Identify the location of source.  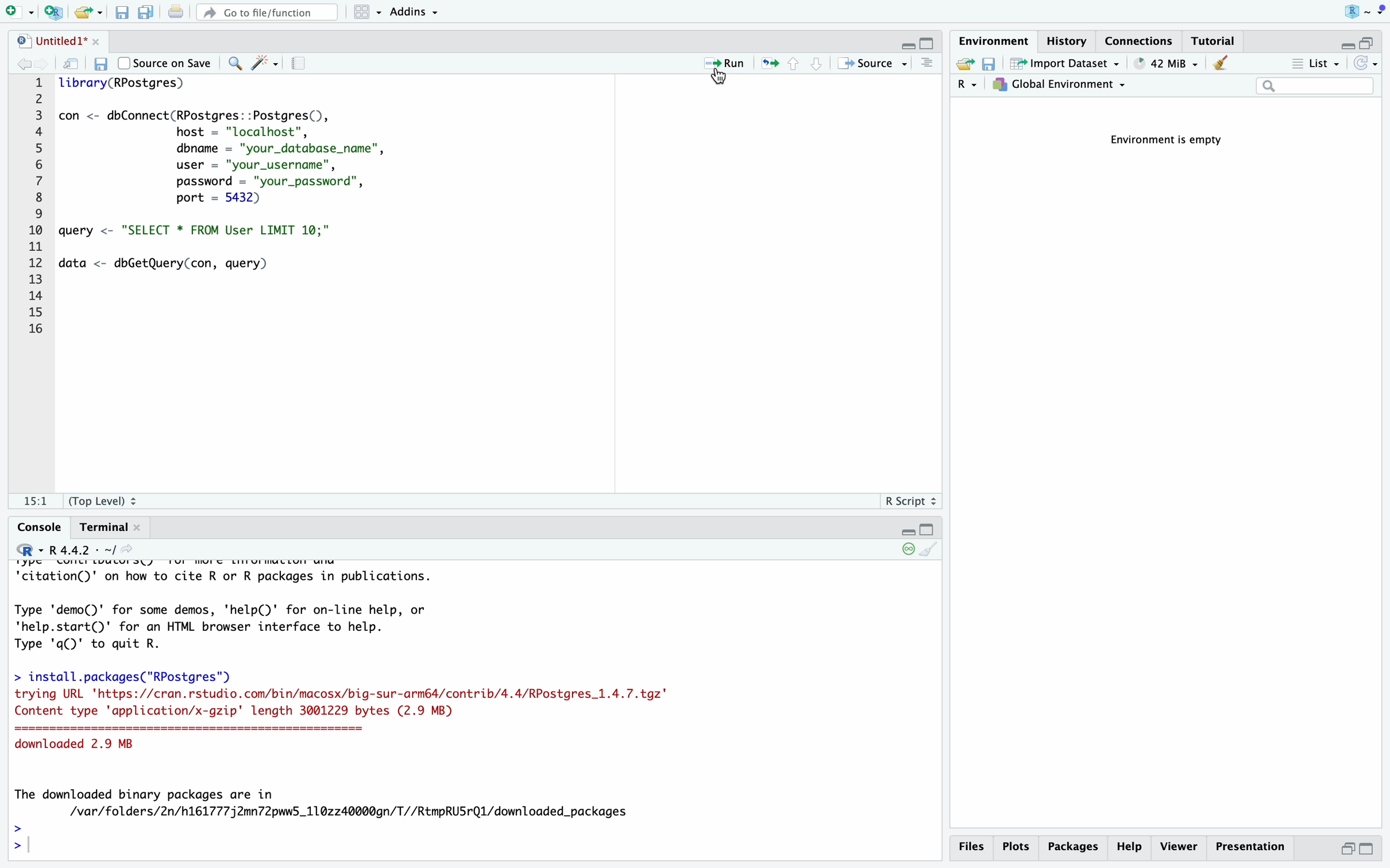
(874, 65).